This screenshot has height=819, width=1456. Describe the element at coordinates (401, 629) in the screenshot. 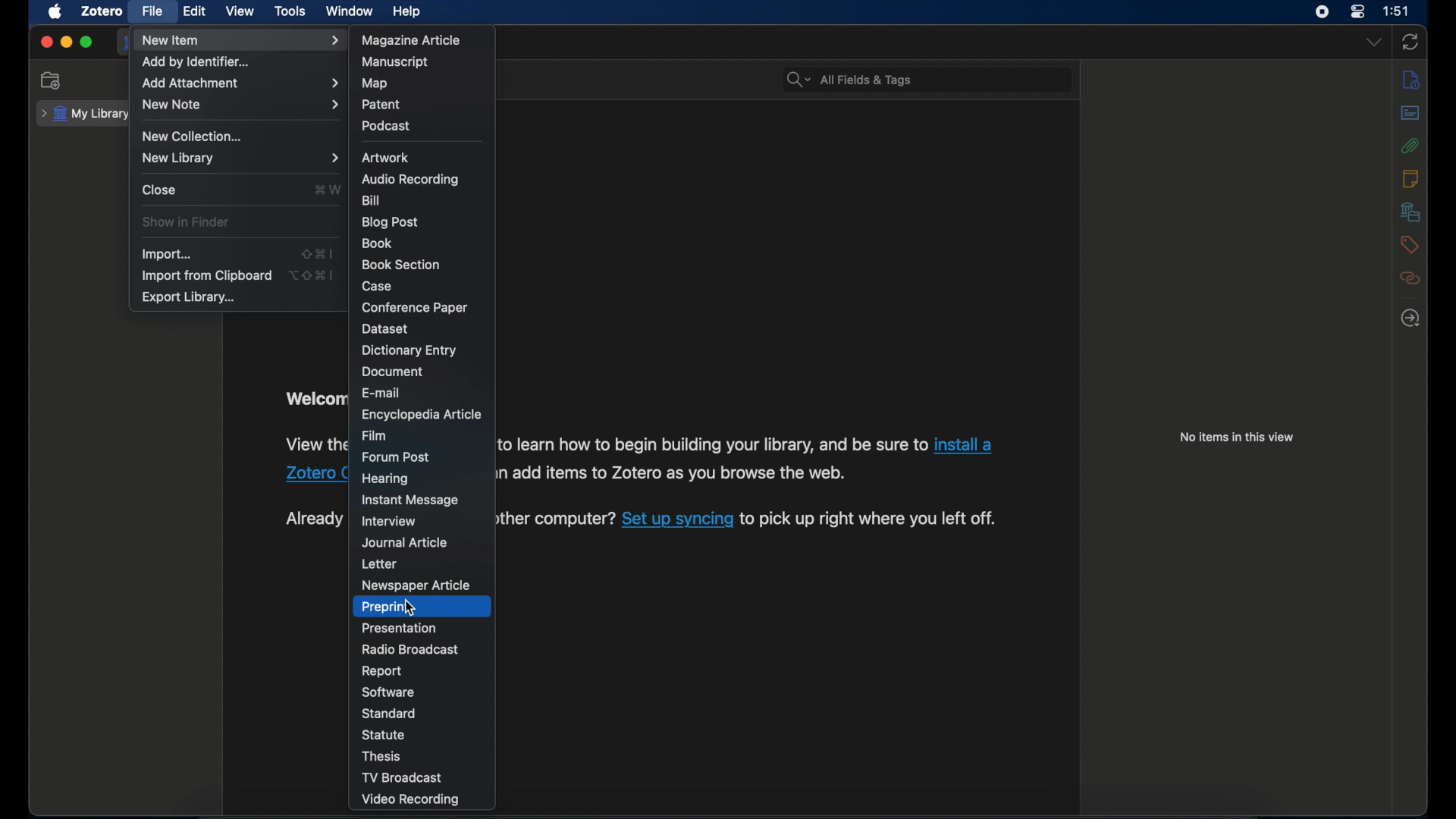

I see `presentation` at that location.